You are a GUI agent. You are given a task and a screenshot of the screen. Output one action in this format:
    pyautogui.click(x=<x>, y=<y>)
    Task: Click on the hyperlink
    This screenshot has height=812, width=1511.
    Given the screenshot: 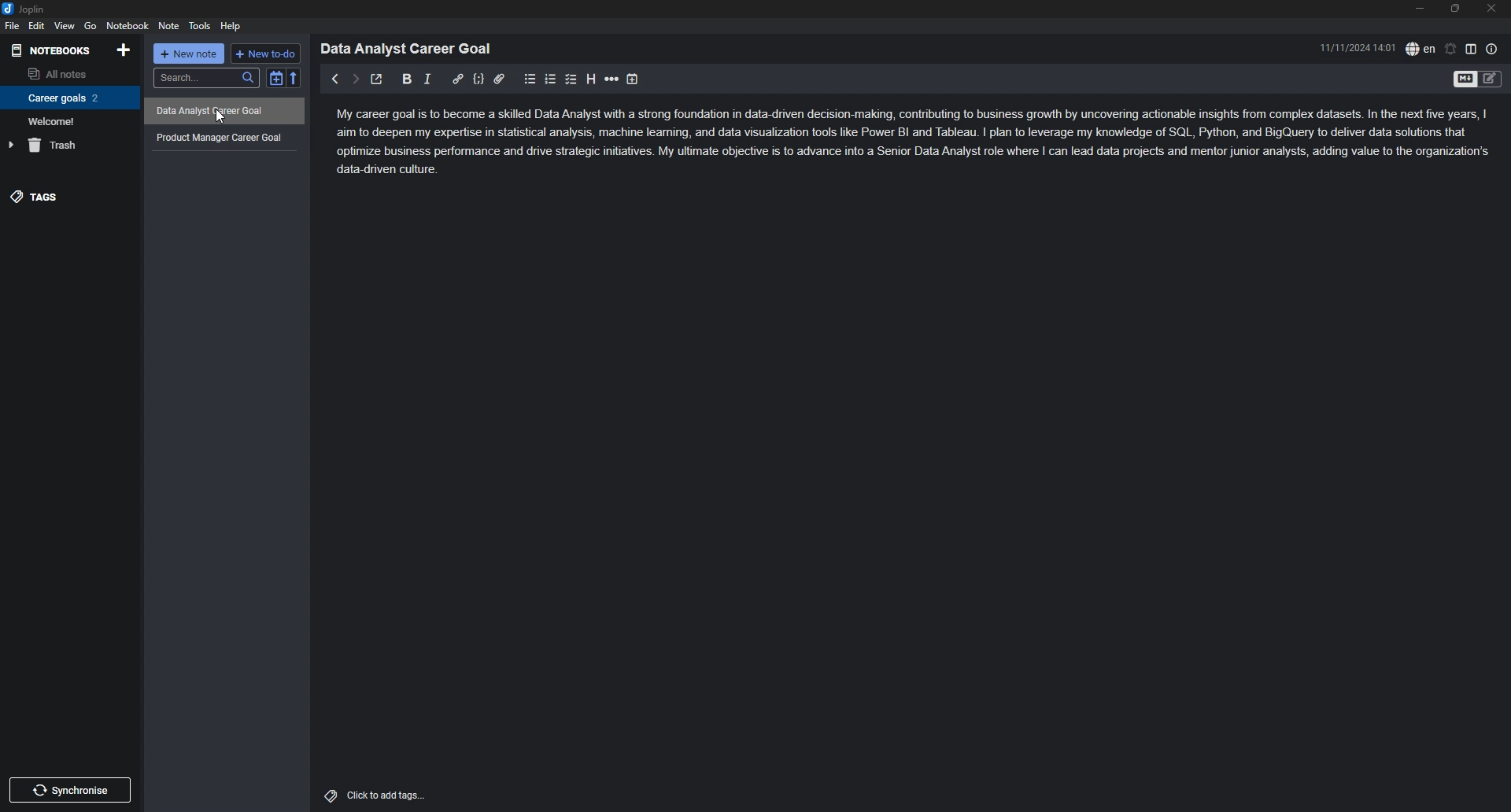 What is the action you would take?
    pyautogui.click(x=457, y=79)
    